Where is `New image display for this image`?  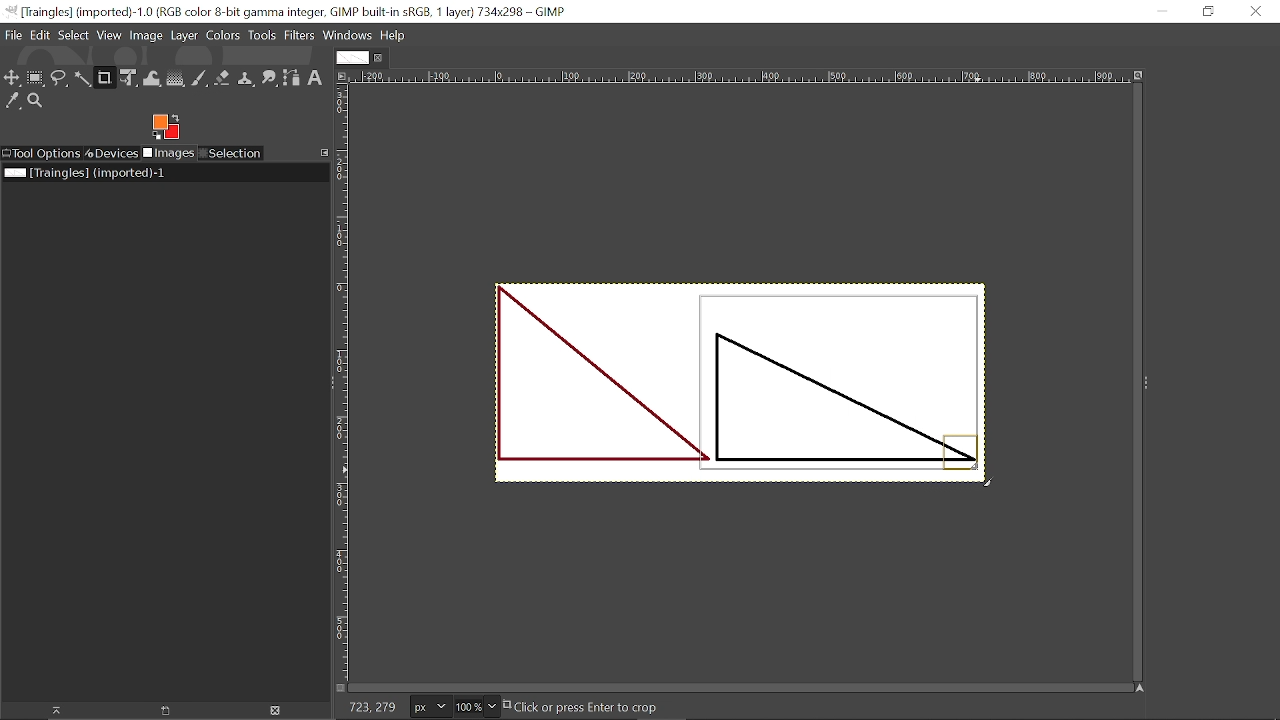 New image display for this image is located at coordinates (166, 711).